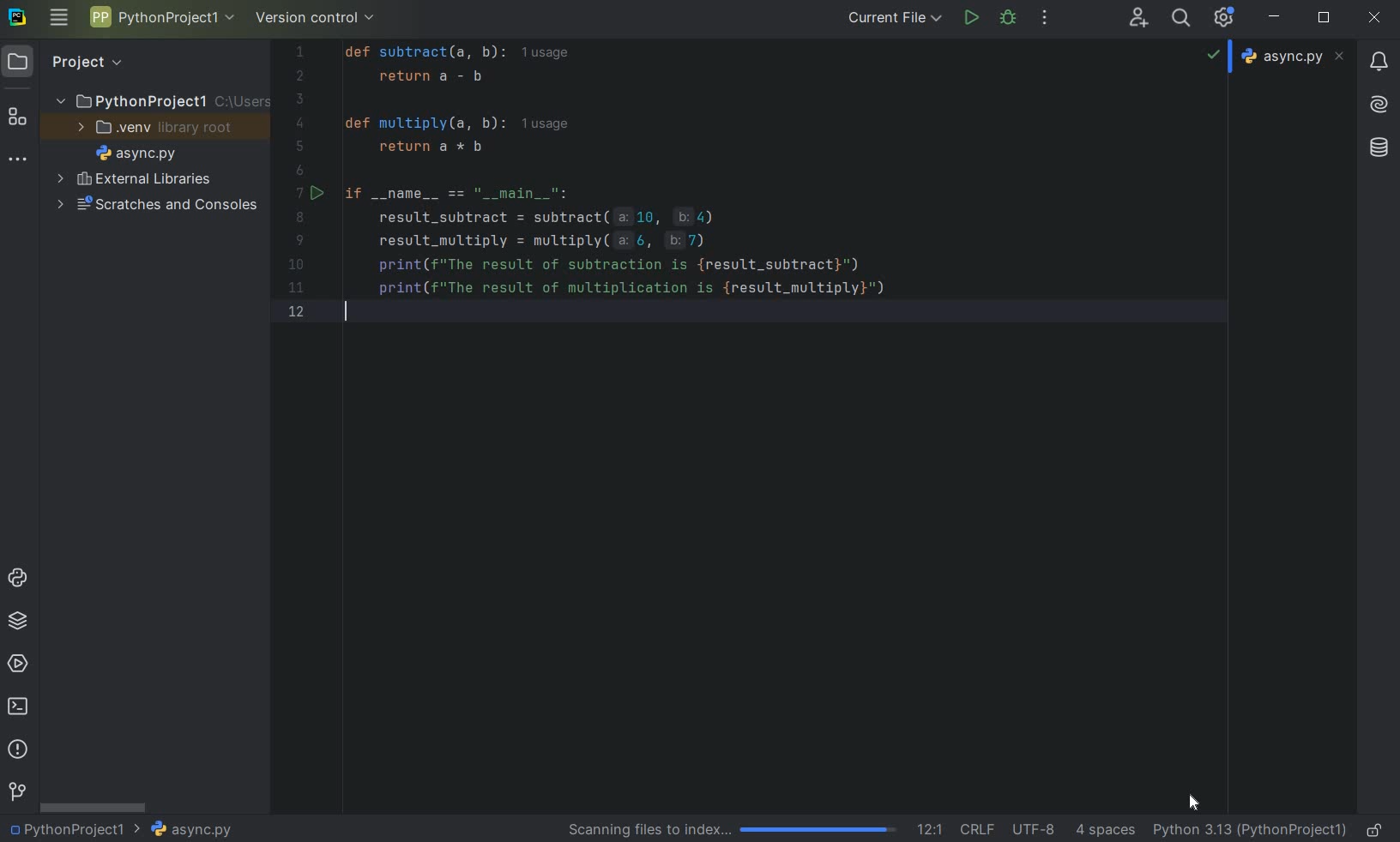  What do you see at coordinates (18, 114) in the screenshot?
I see `structure` at bounding box center [18, 114].